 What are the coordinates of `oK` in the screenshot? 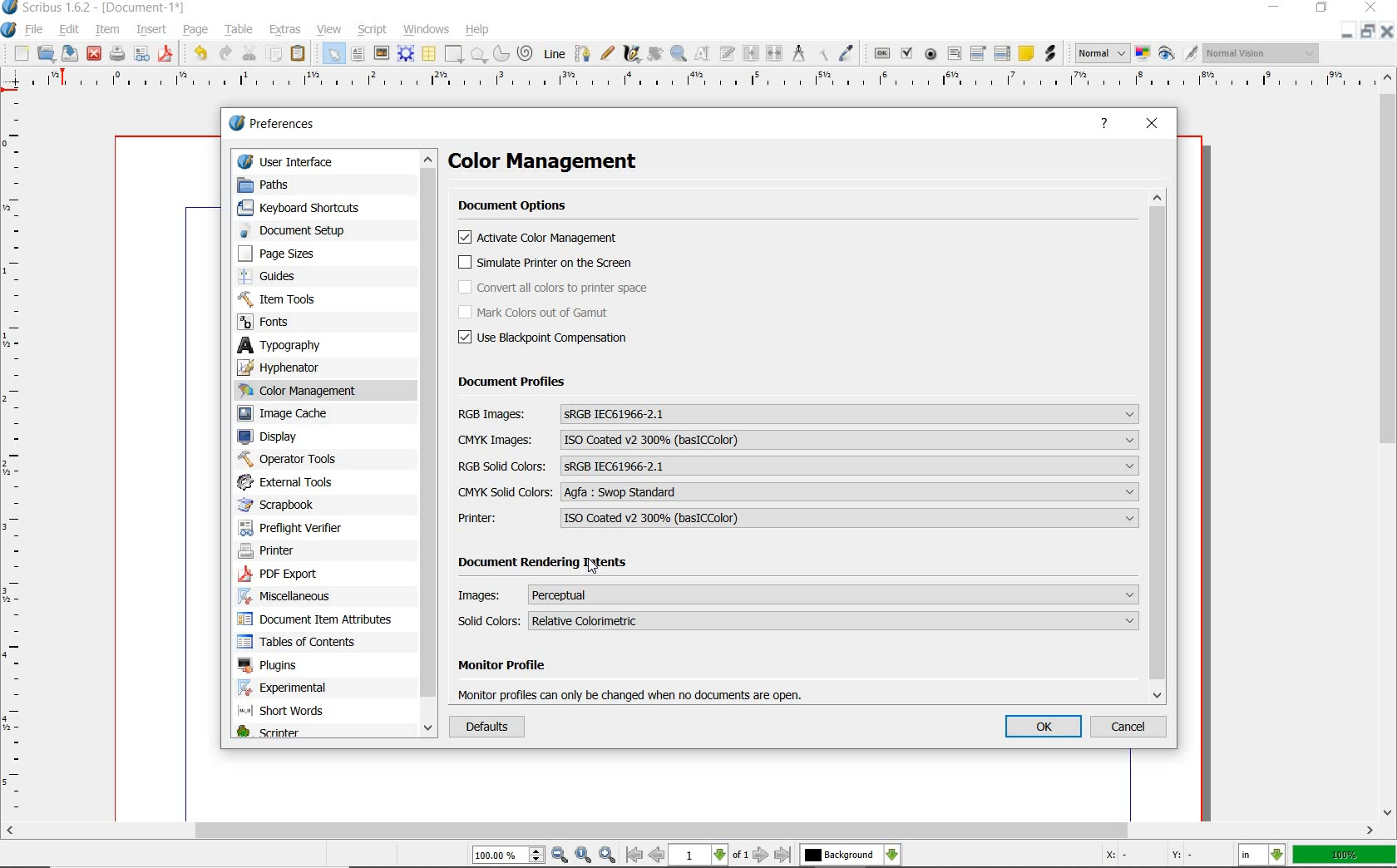 It's located at (1045, 727).